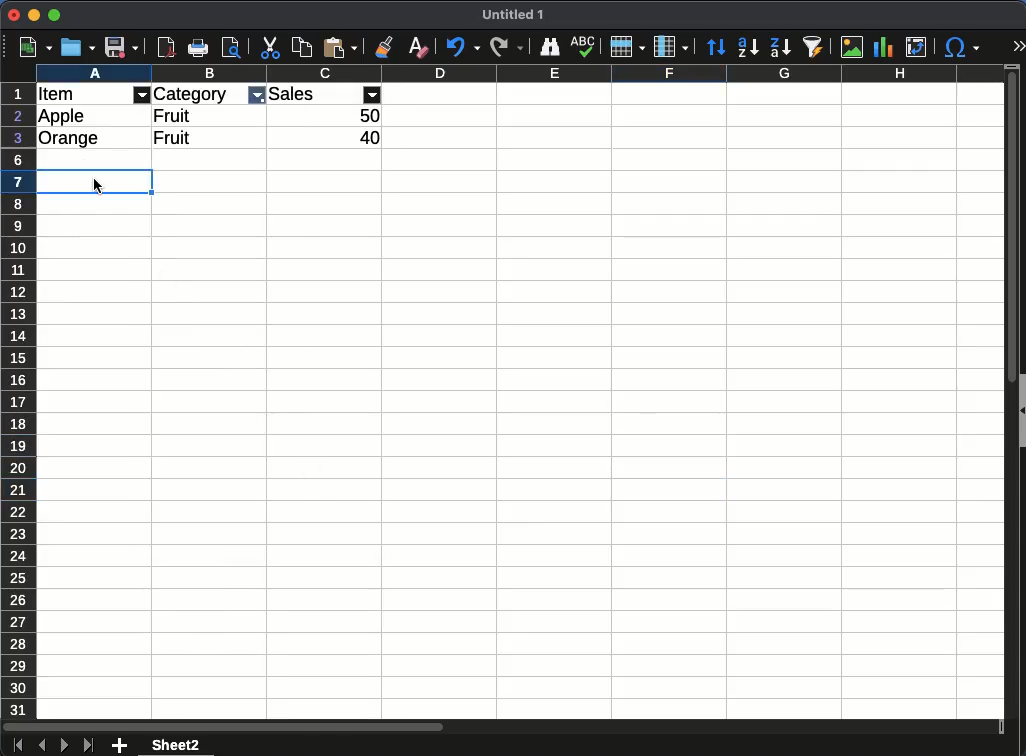  What do you see at coordinates (715, 45) in the screenshot?
I see `sort` at bounding box center [715, 45].